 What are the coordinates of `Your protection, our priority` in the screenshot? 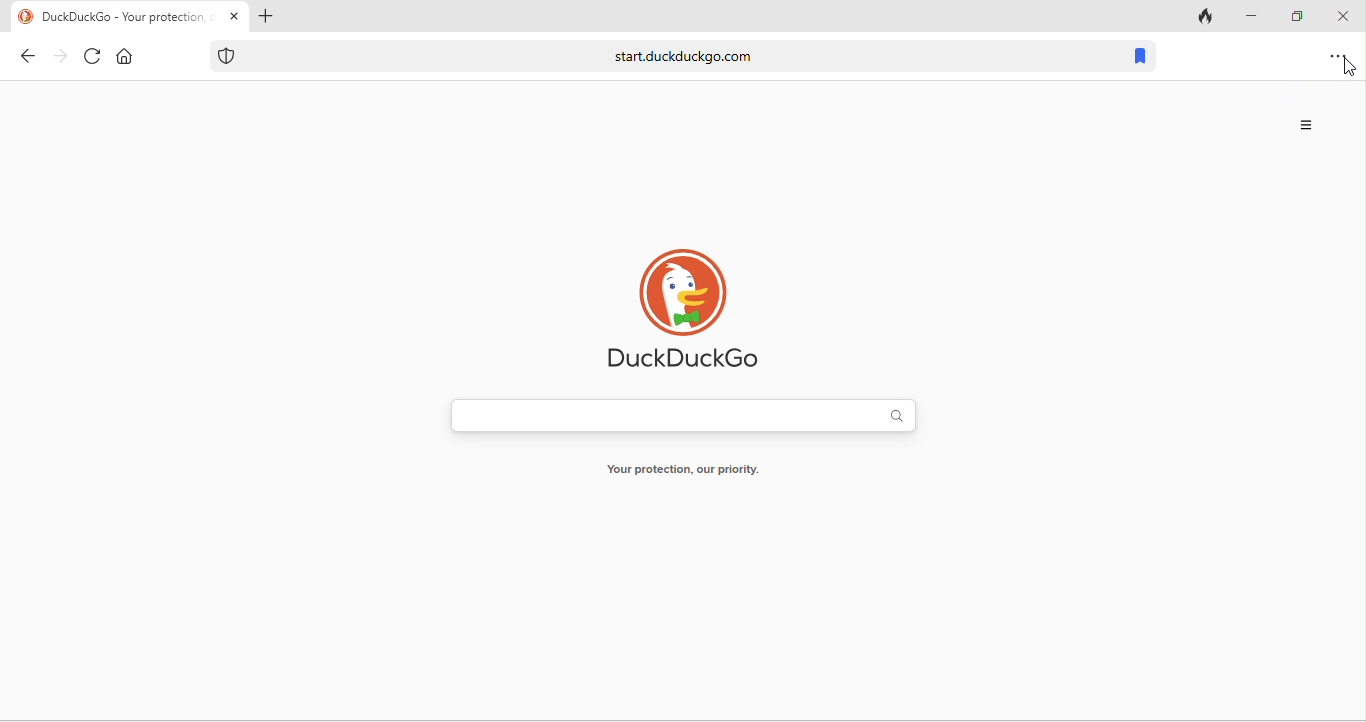 It's located at (698, 468).